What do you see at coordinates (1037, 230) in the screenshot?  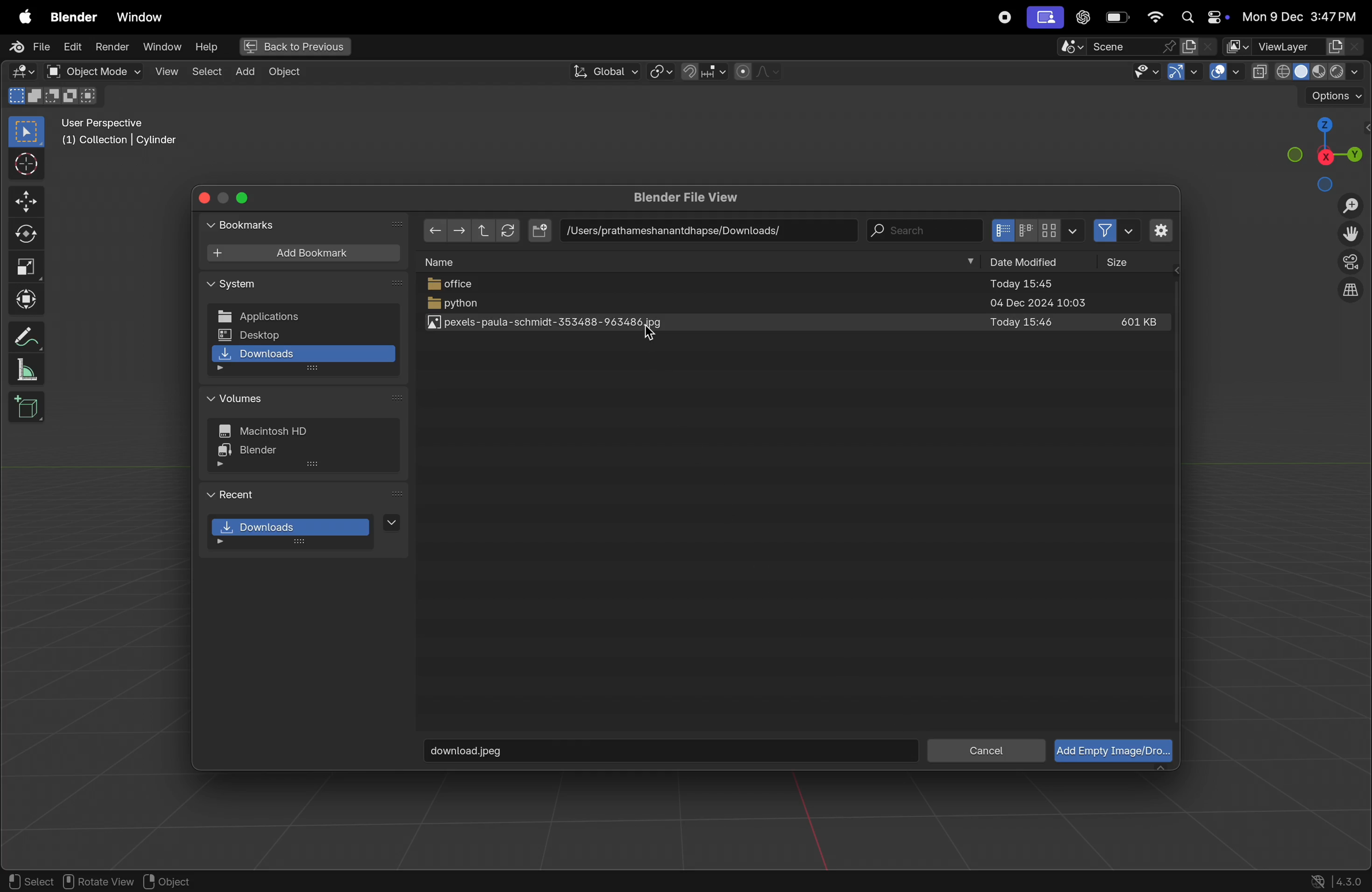 I see `icon view` at bounding box center [1037, 230].